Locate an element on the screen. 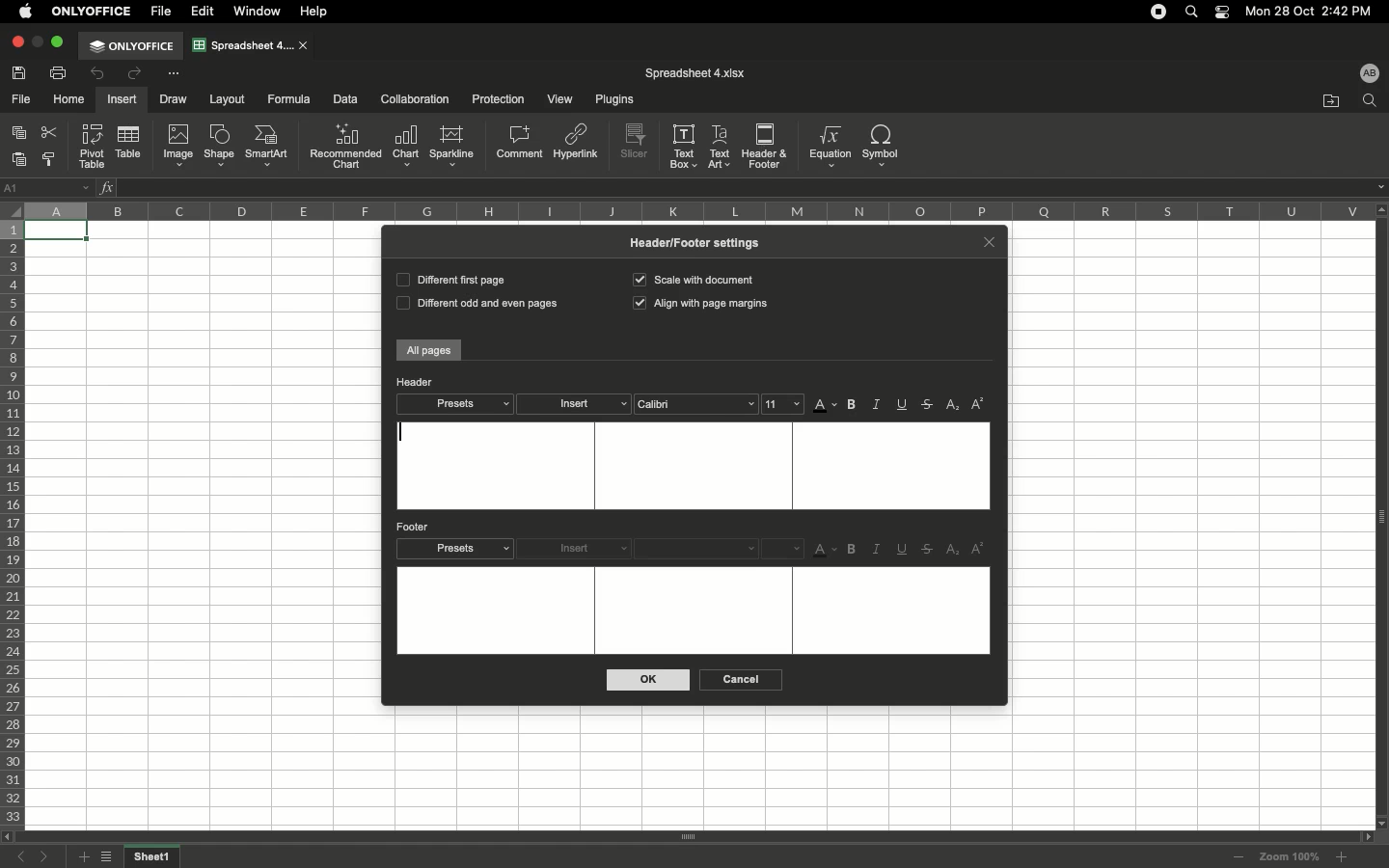  Pivot table is located at coordinates (94, 146).